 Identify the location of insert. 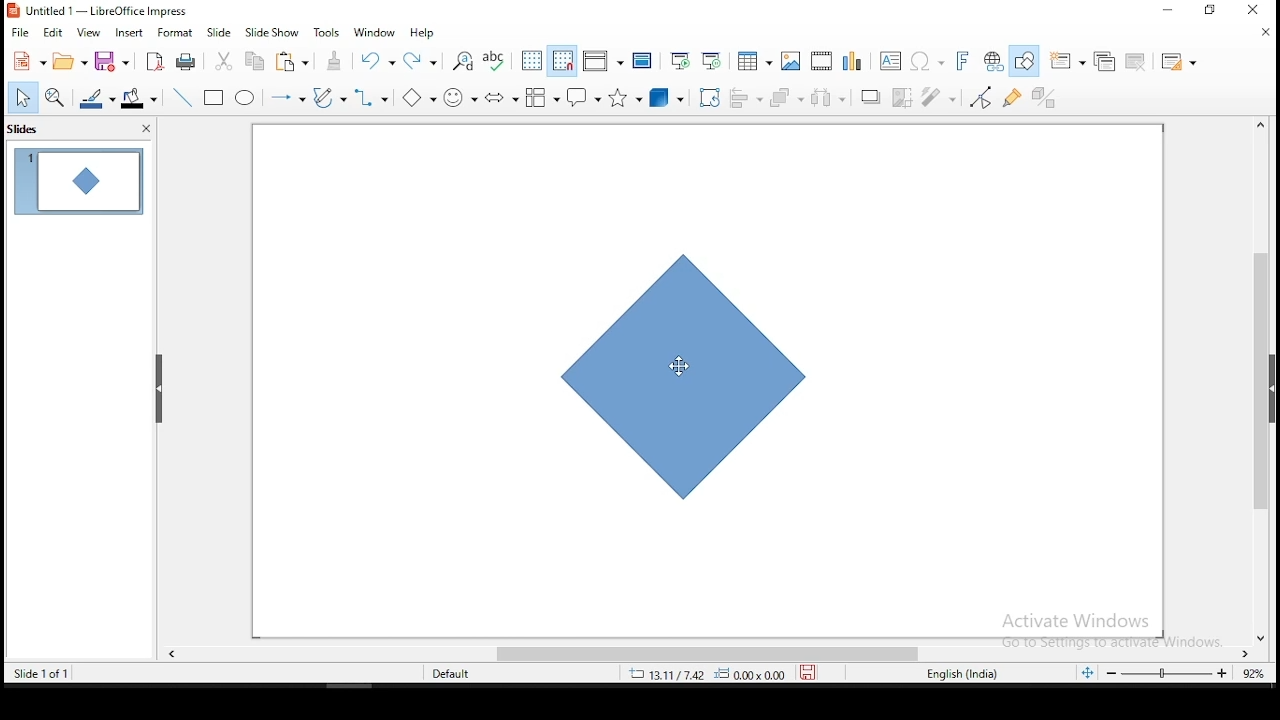
(127, 32).